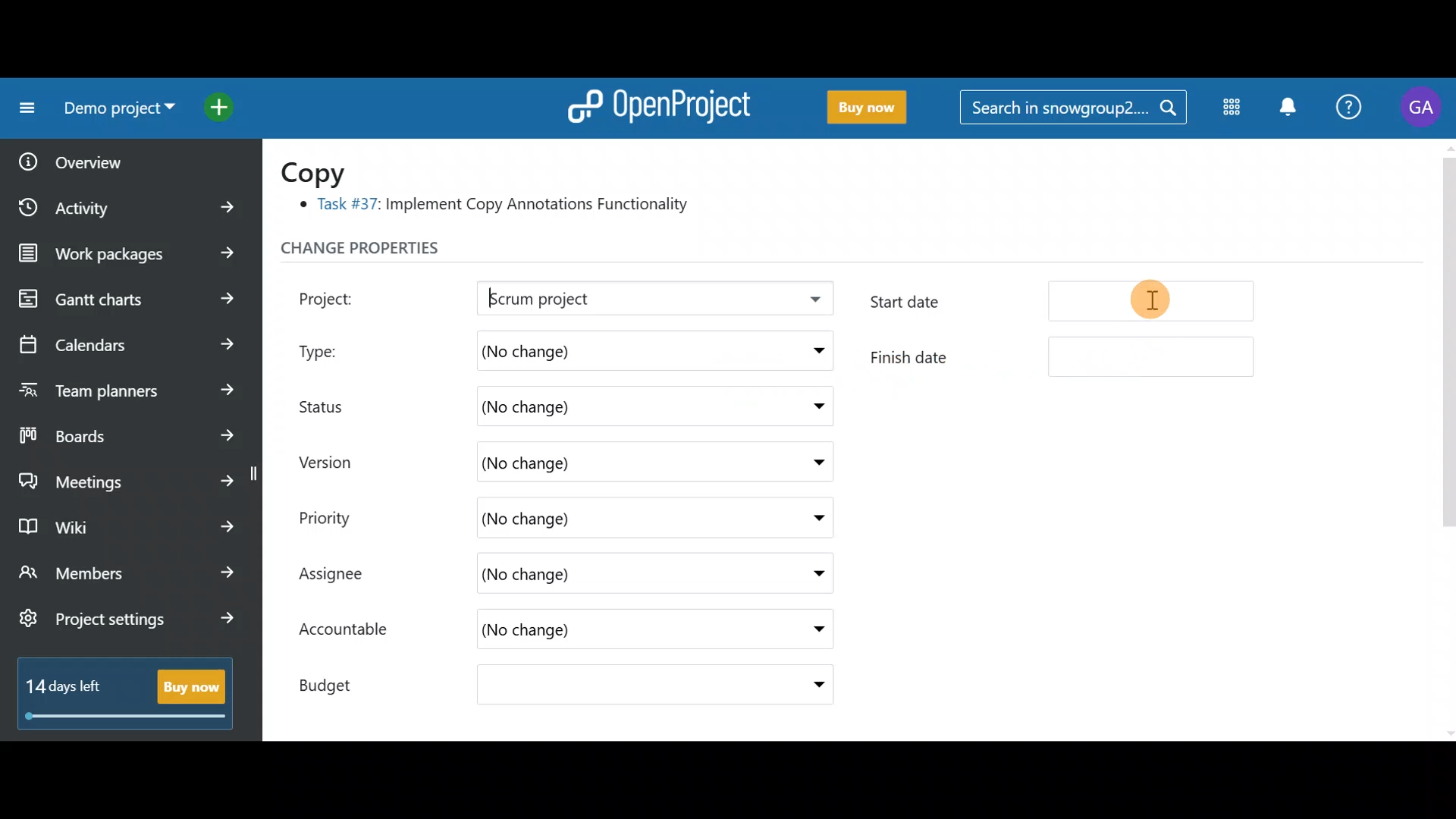 Image resolution: width=1456 pixels, height=819 pixels. I want to click on Meetings, so click(127, 478).